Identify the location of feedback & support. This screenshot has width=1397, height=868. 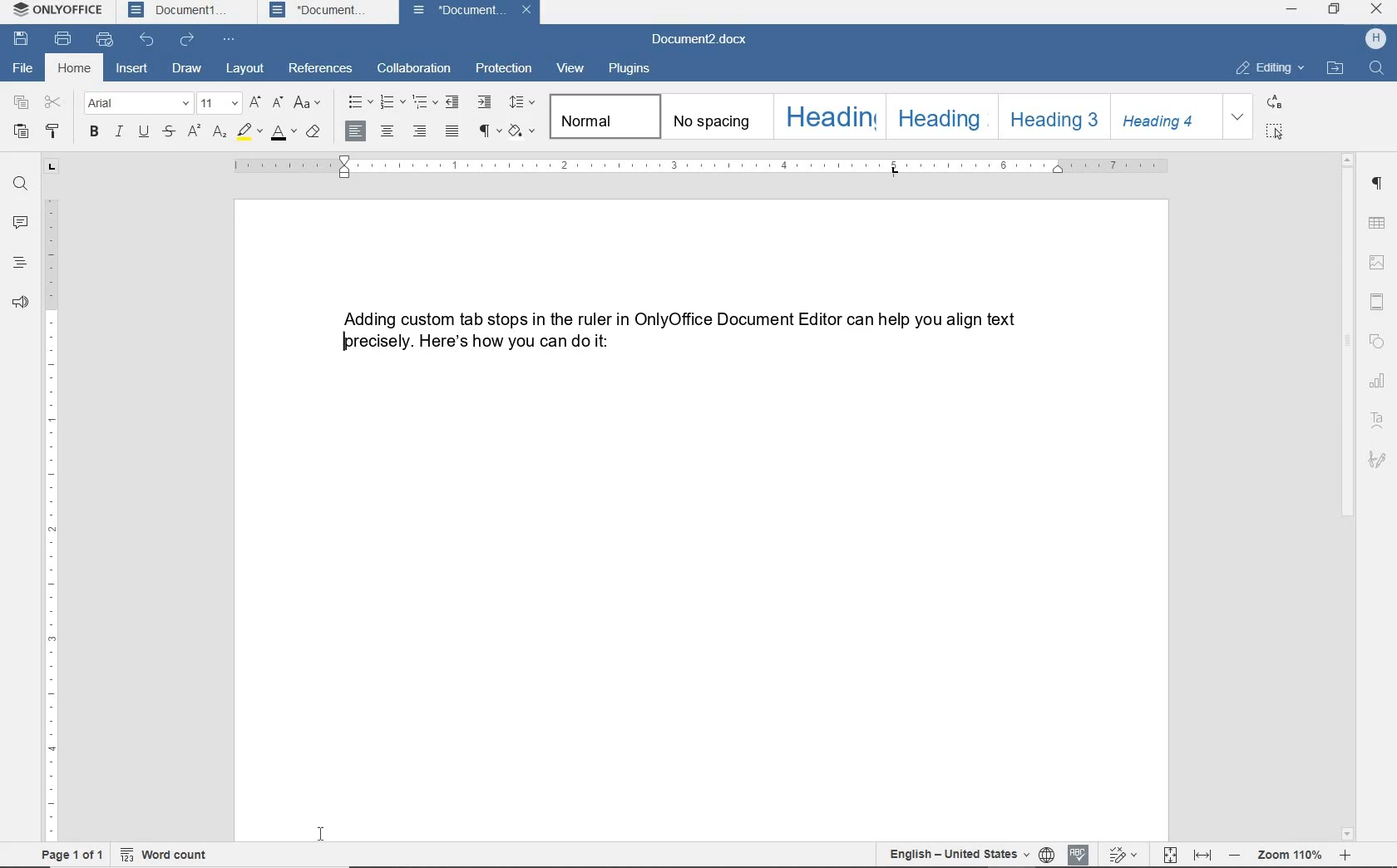
(20, 303).